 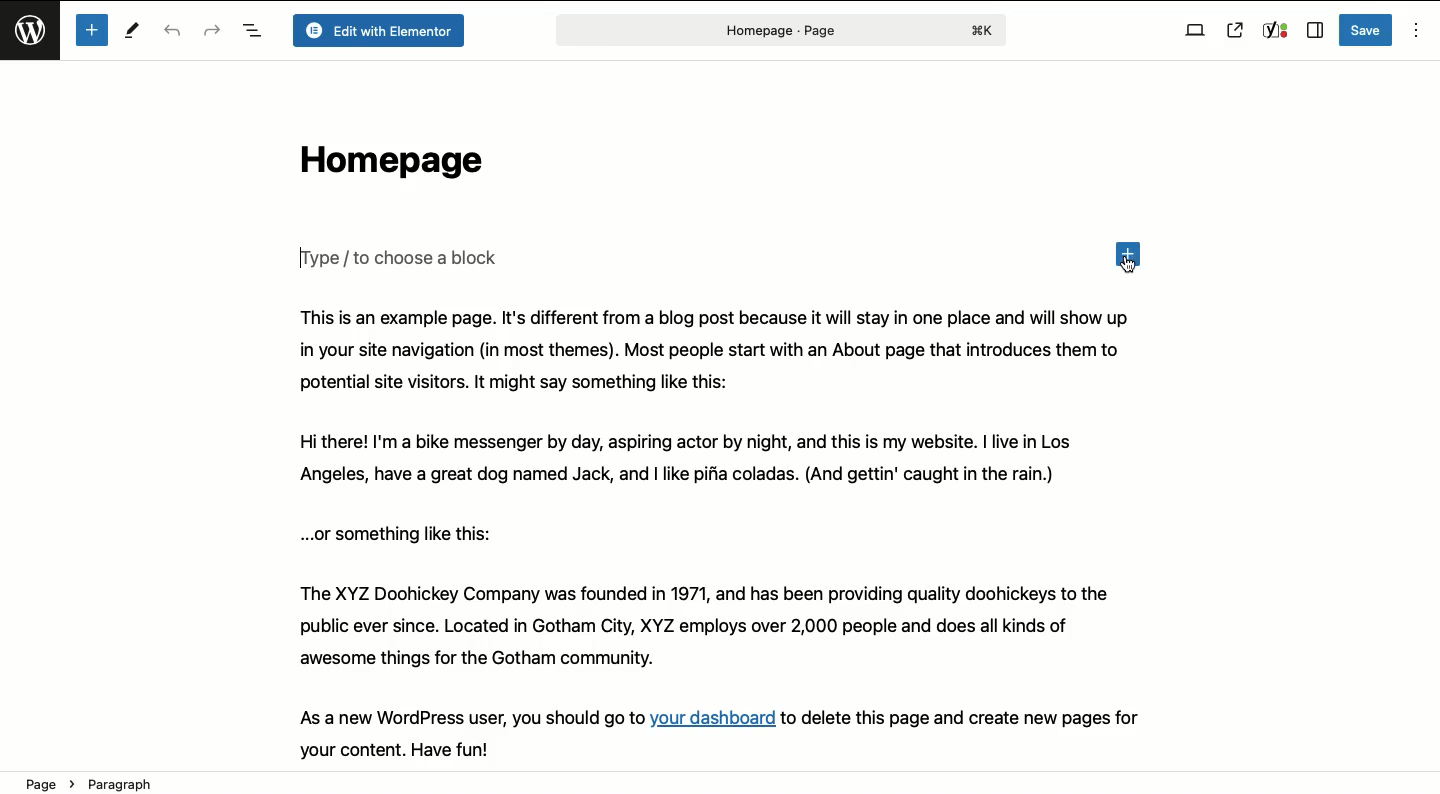 I want to click on Cursor, so click(x=1128, y=269).